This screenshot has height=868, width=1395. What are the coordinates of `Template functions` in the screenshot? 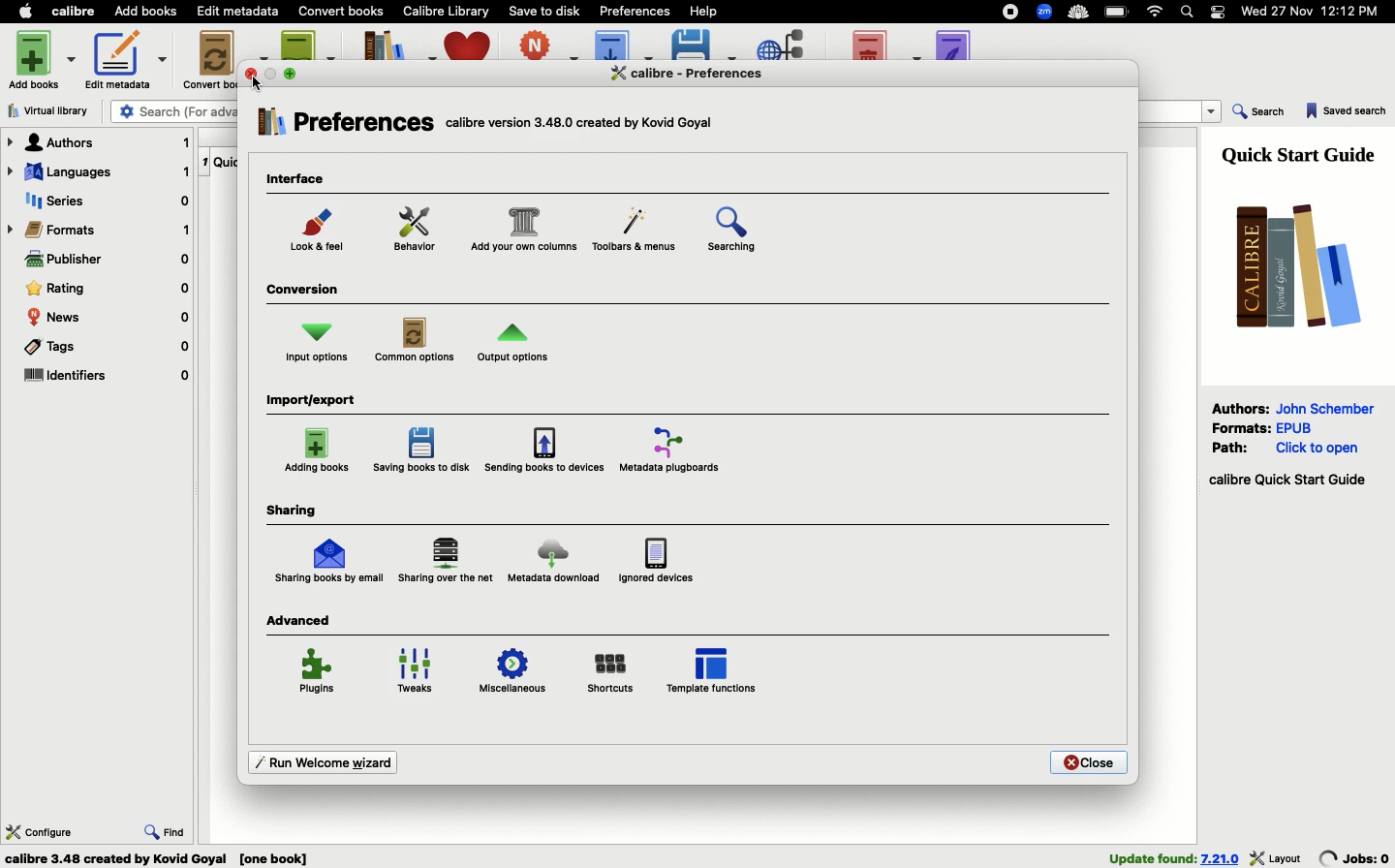 It's located at (713, 669).